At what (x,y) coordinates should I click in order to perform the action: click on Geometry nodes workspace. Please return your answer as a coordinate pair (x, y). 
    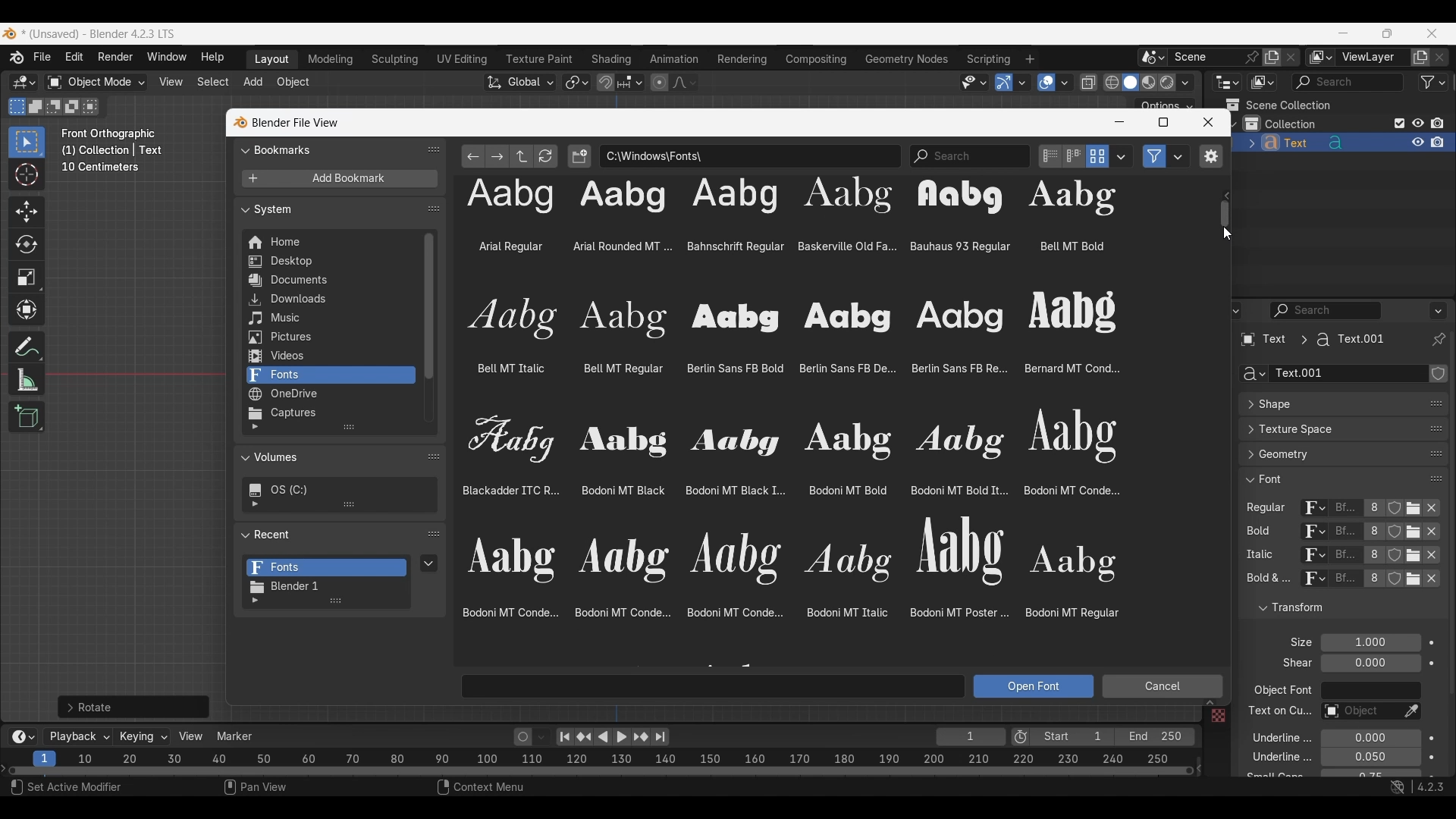
    Looking at the image, I should click on (906, 58).